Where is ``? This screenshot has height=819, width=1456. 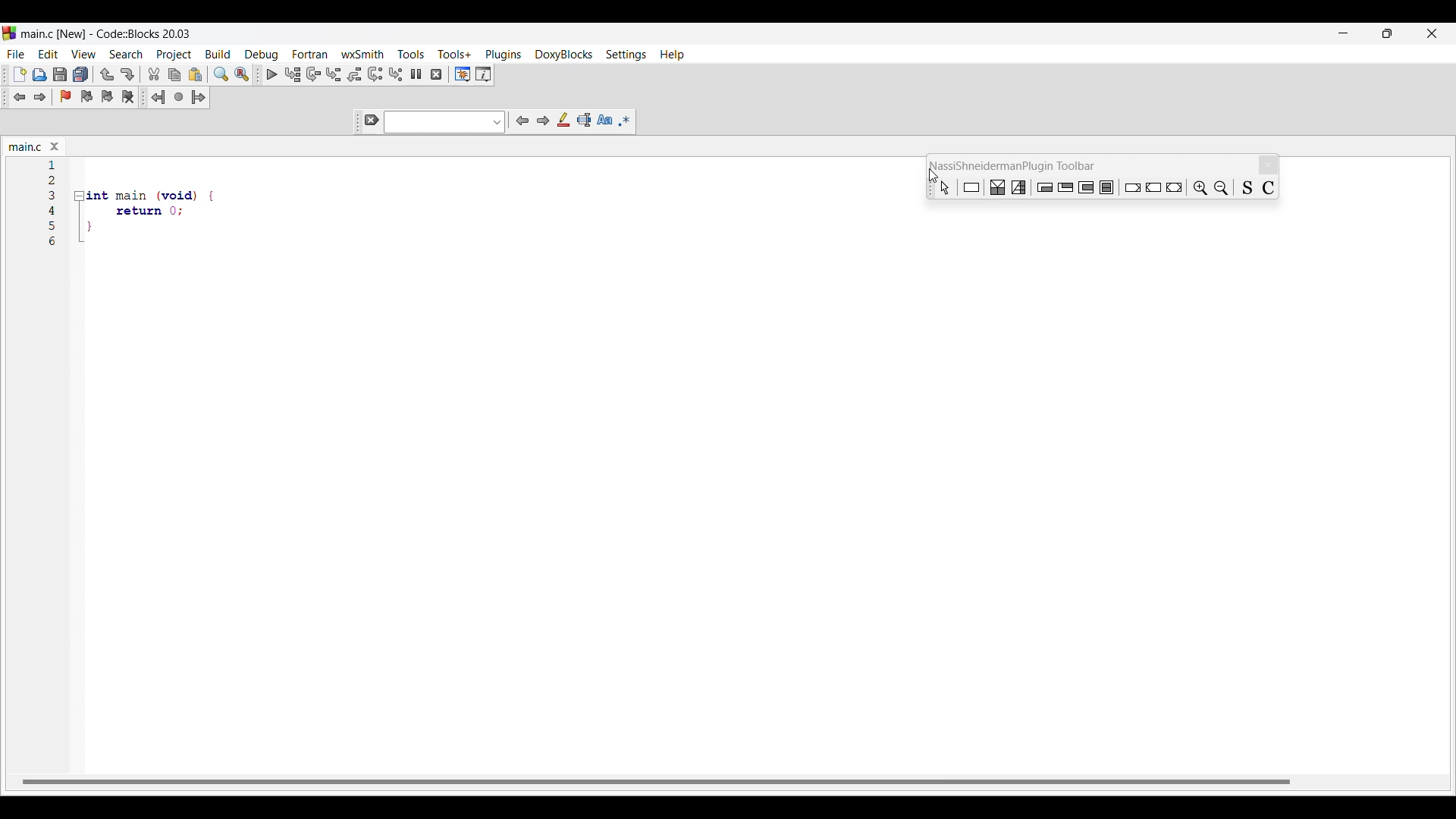  is located at coordinates (1131, 186).